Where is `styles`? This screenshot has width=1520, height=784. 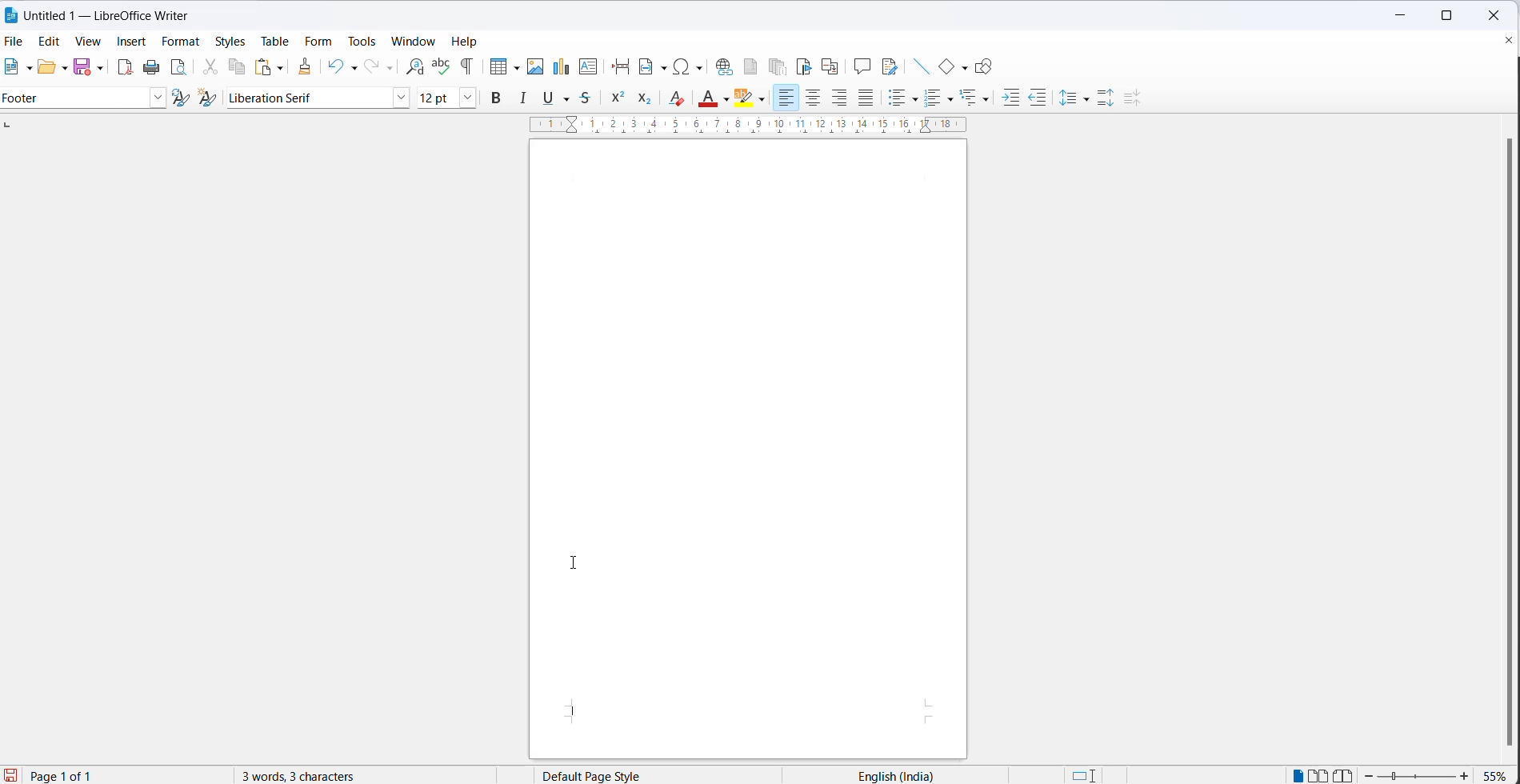
styles is located at coordinates (231, 43).